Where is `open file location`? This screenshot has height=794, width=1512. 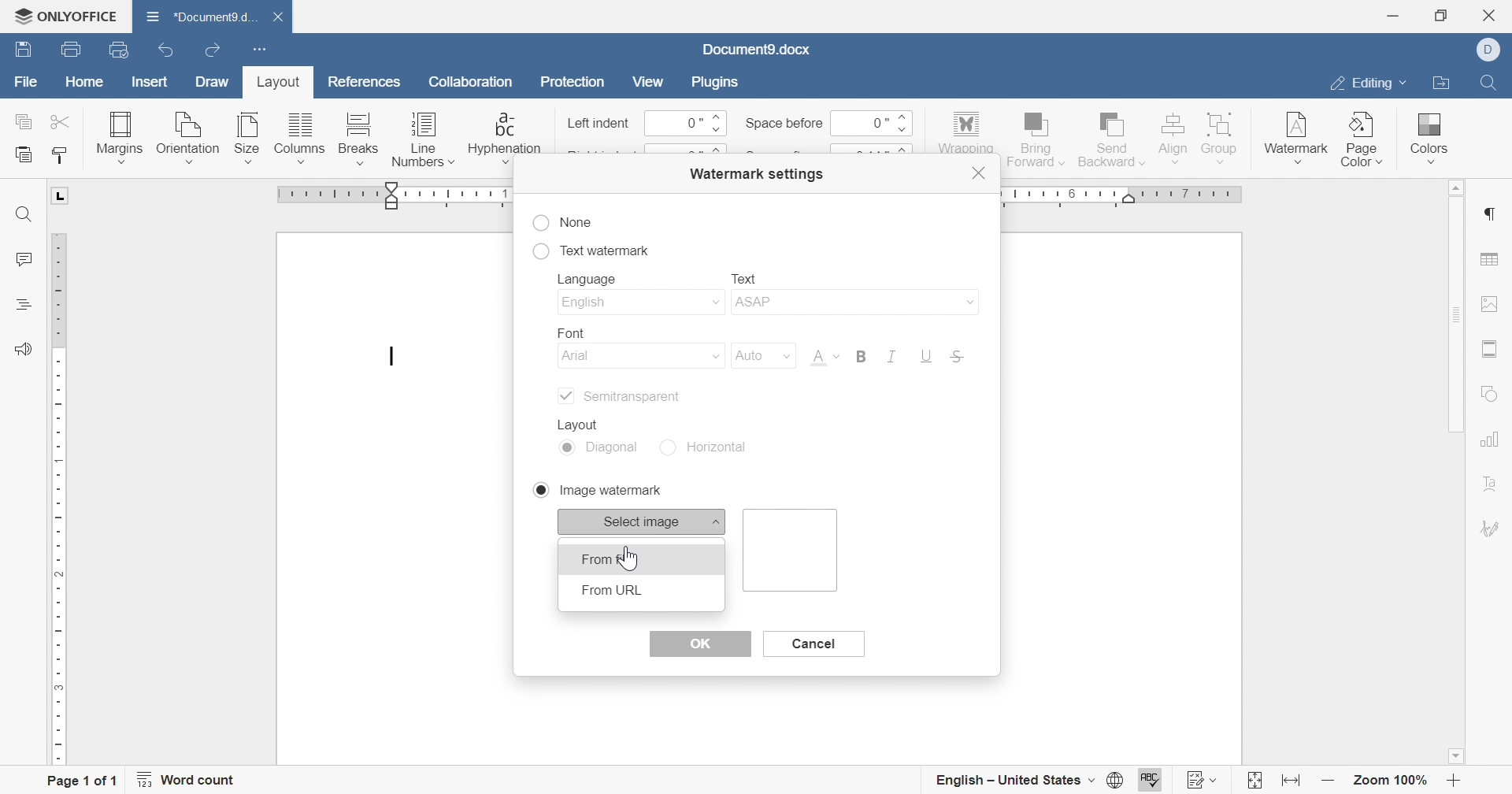
open file location is located at coordinates (1440, 84).